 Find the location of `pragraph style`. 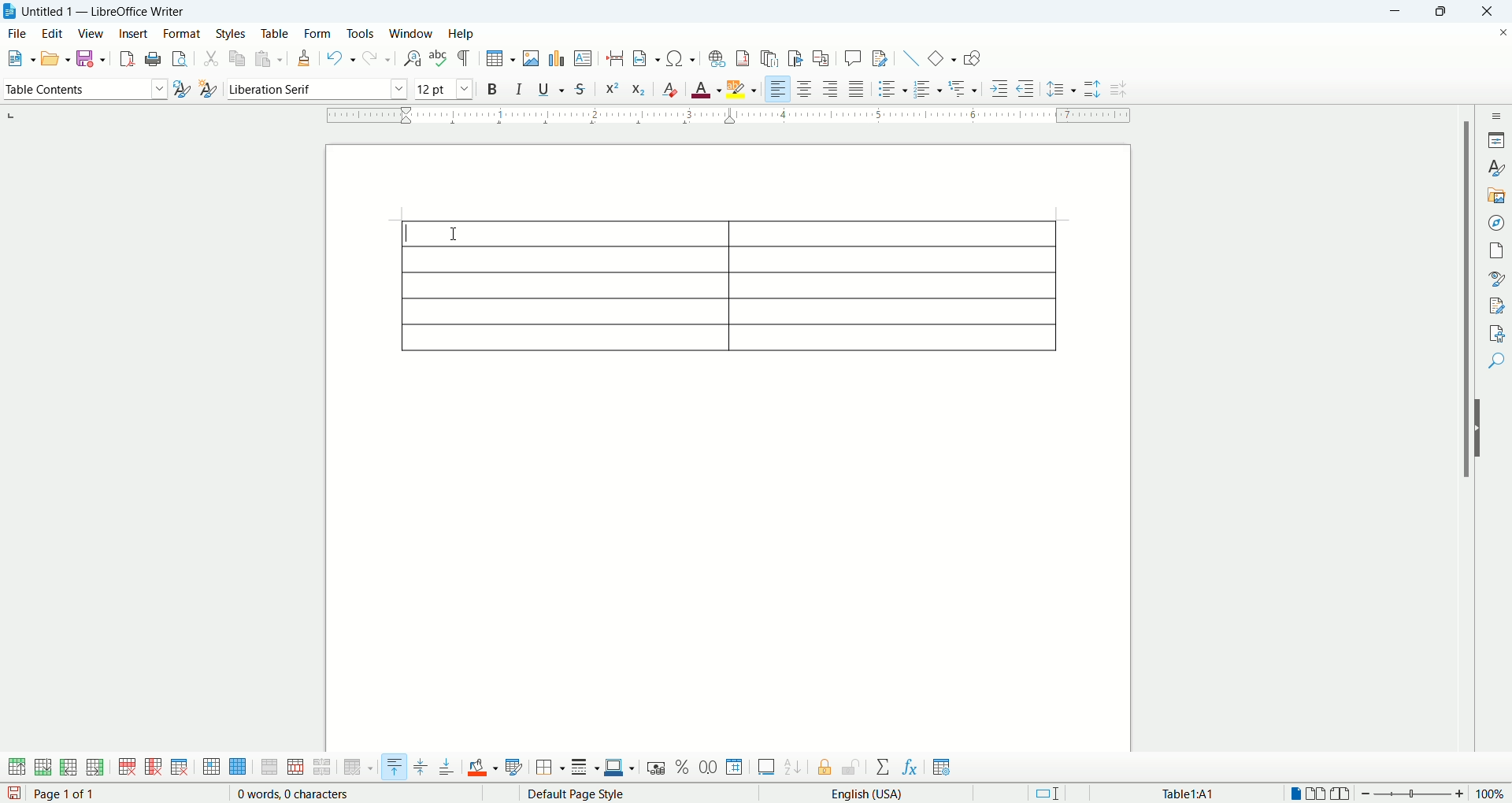

pragraph style is located at coordinates (83, 87).